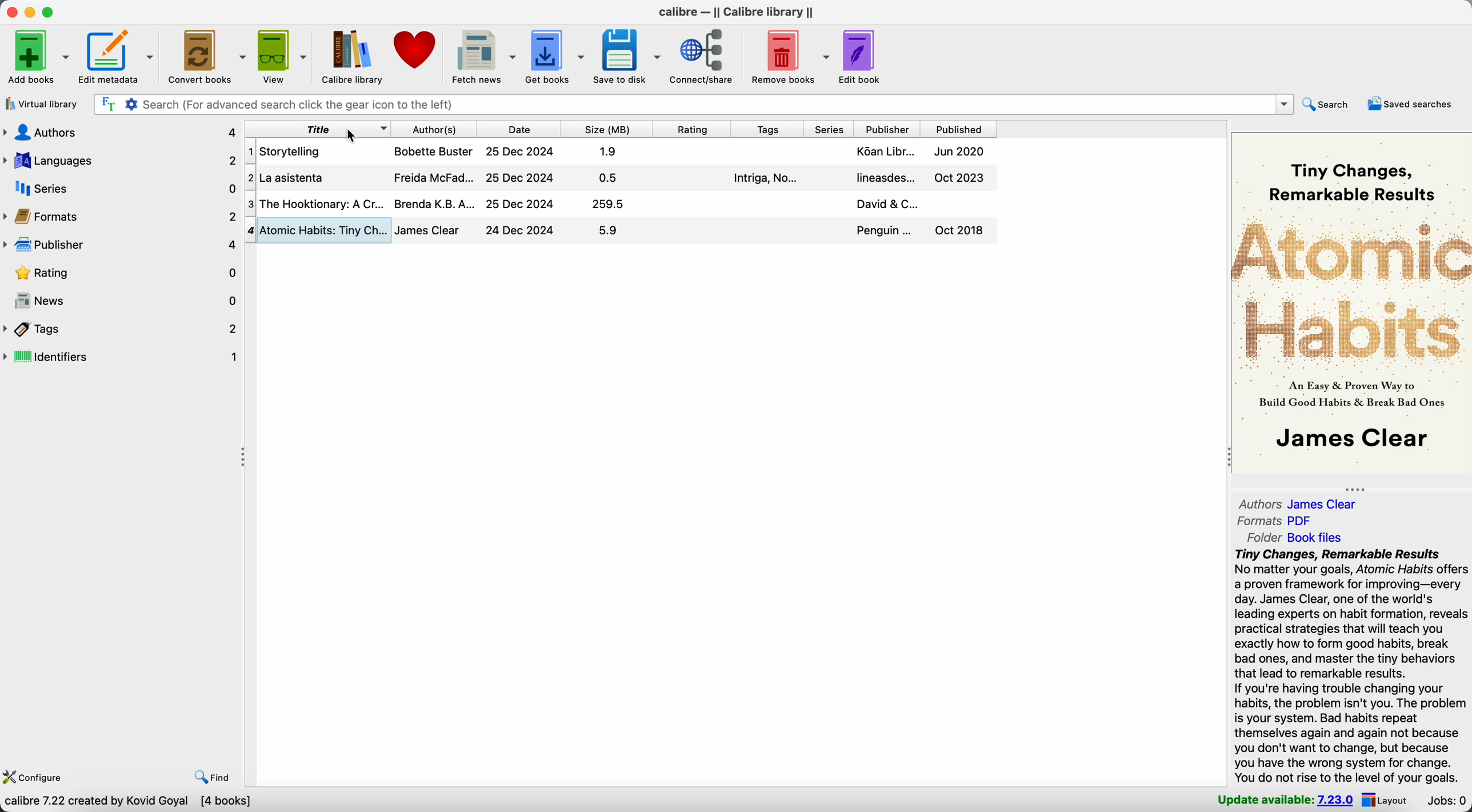 The width and height of the screenshot is (1472, 812). Describe the element at coordinates (694, 129) in the screenshot. I see `rating` at that location.